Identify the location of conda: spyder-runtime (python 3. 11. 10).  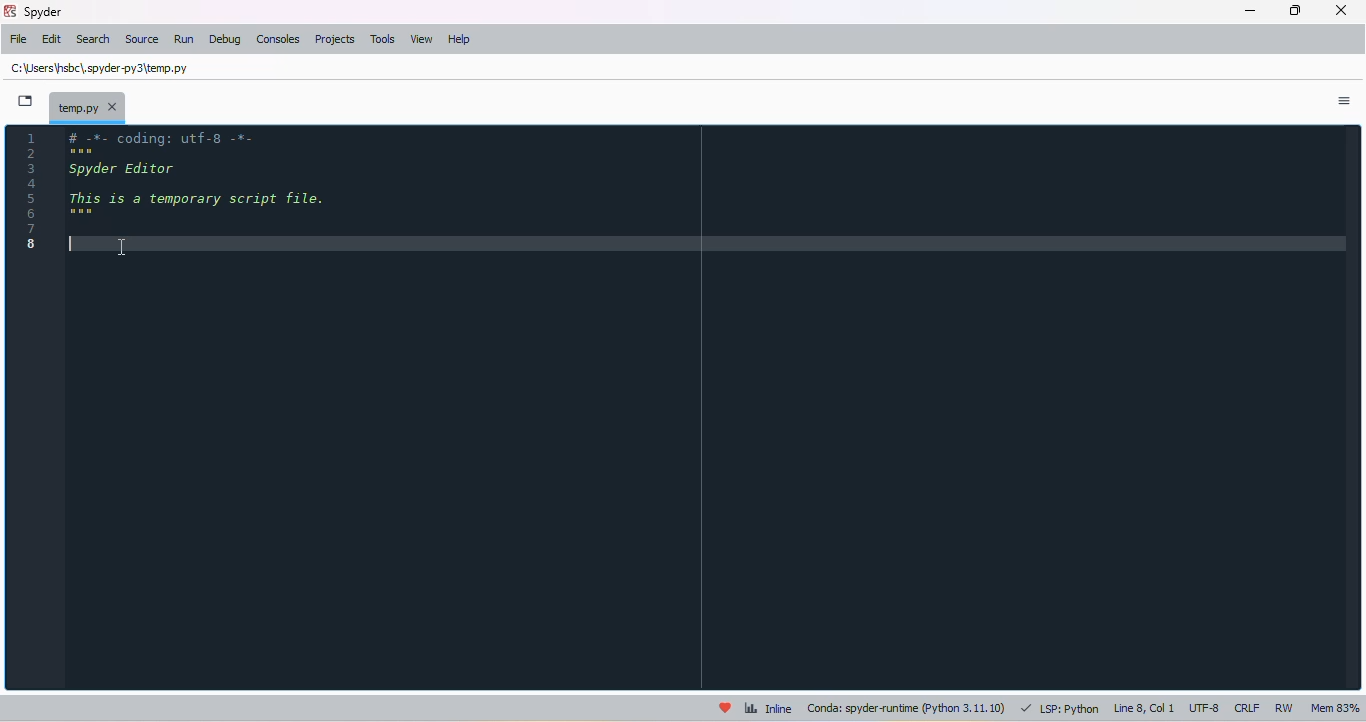
(908, 708).